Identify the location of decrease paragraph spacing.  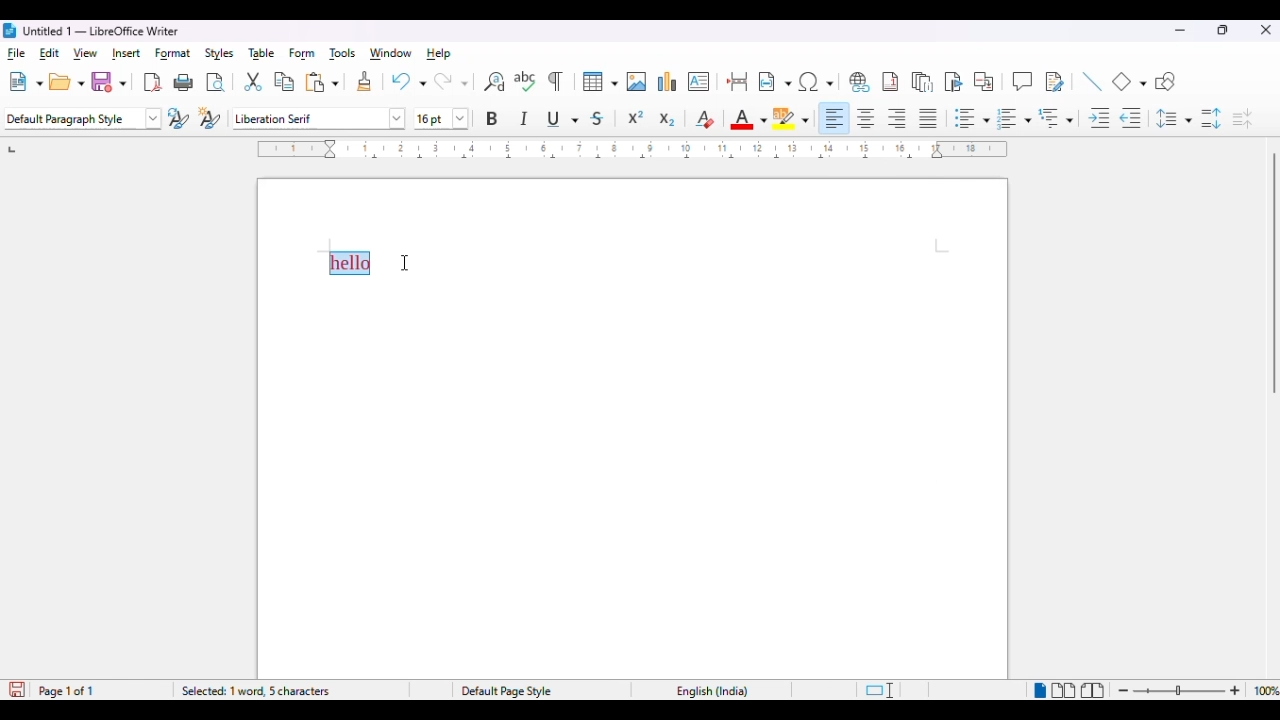
(1242, 119).